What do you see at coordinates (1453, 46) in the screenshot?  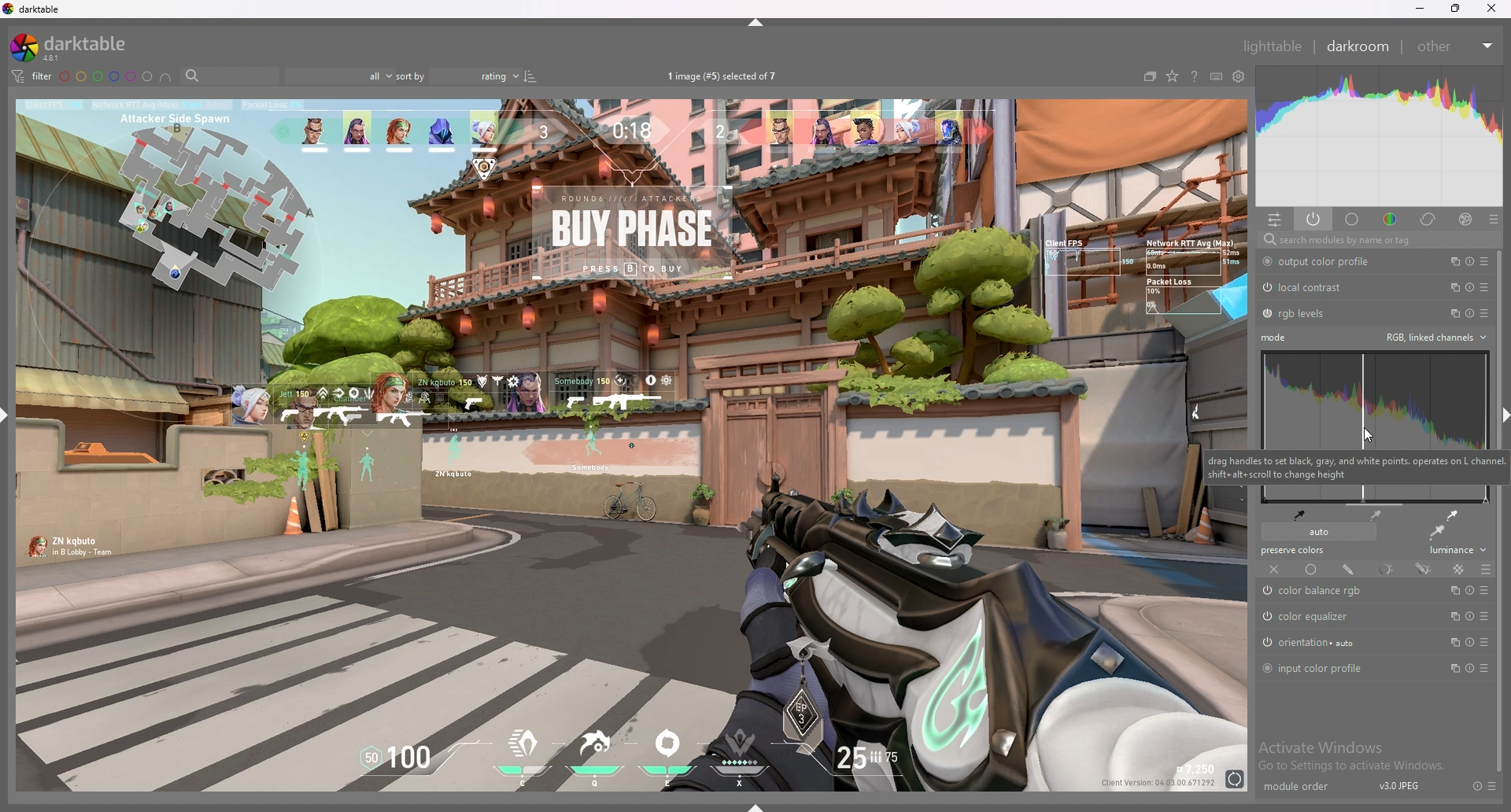 I see `other` at bounding box center [1453, 46].